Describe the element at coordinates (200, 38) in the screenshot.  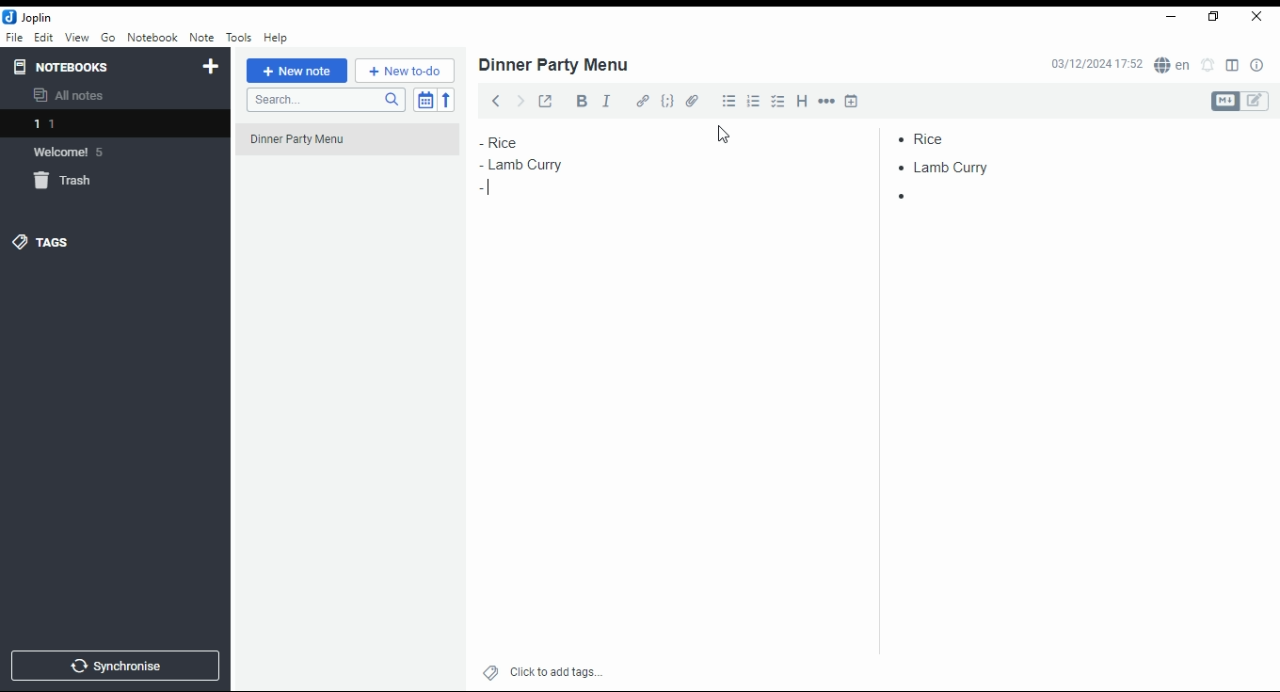
I see `note` at that location.